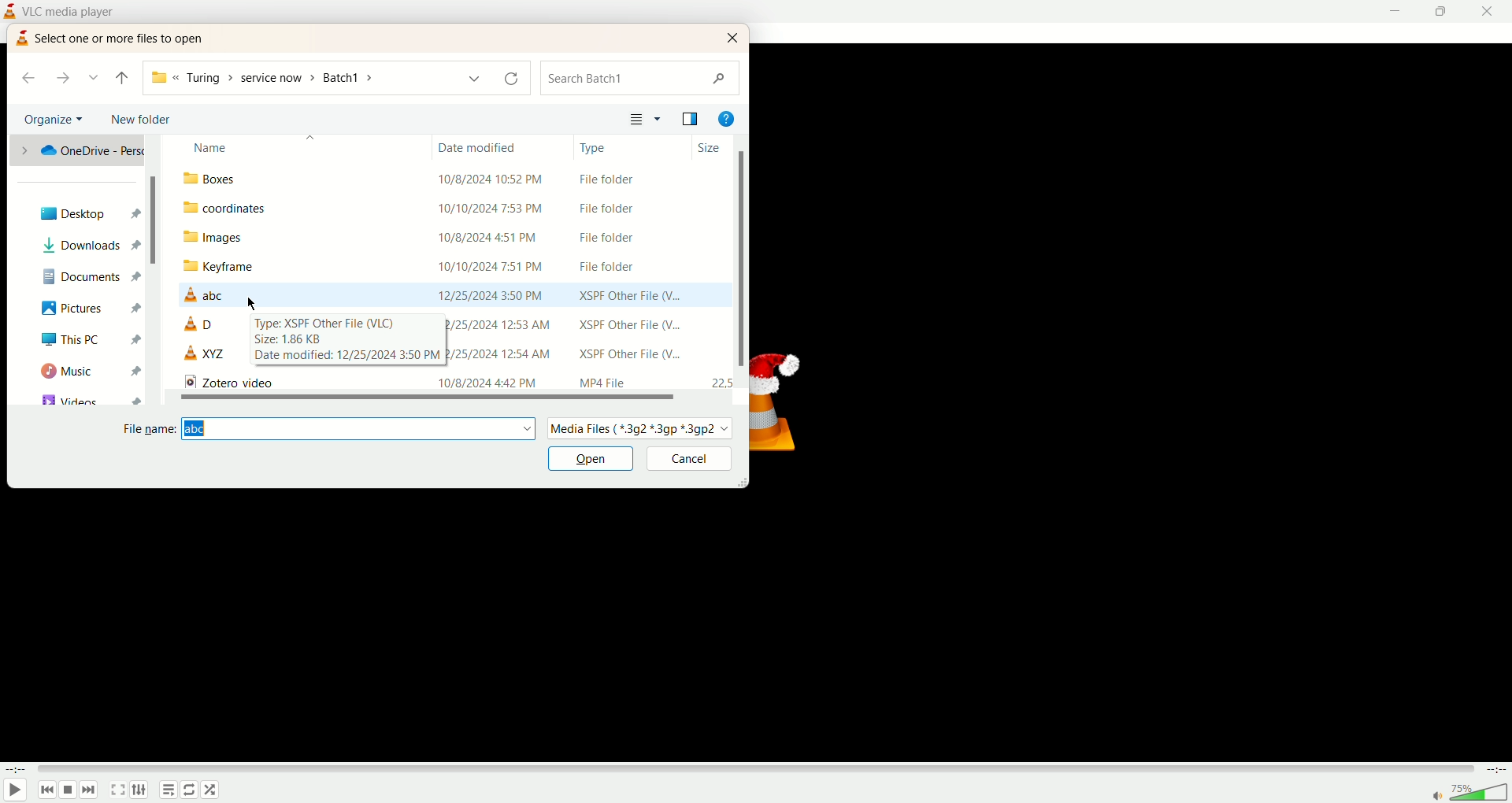 This screenshot has width=1512, height=803. I want to click on volume bar, so click(1469, 793).